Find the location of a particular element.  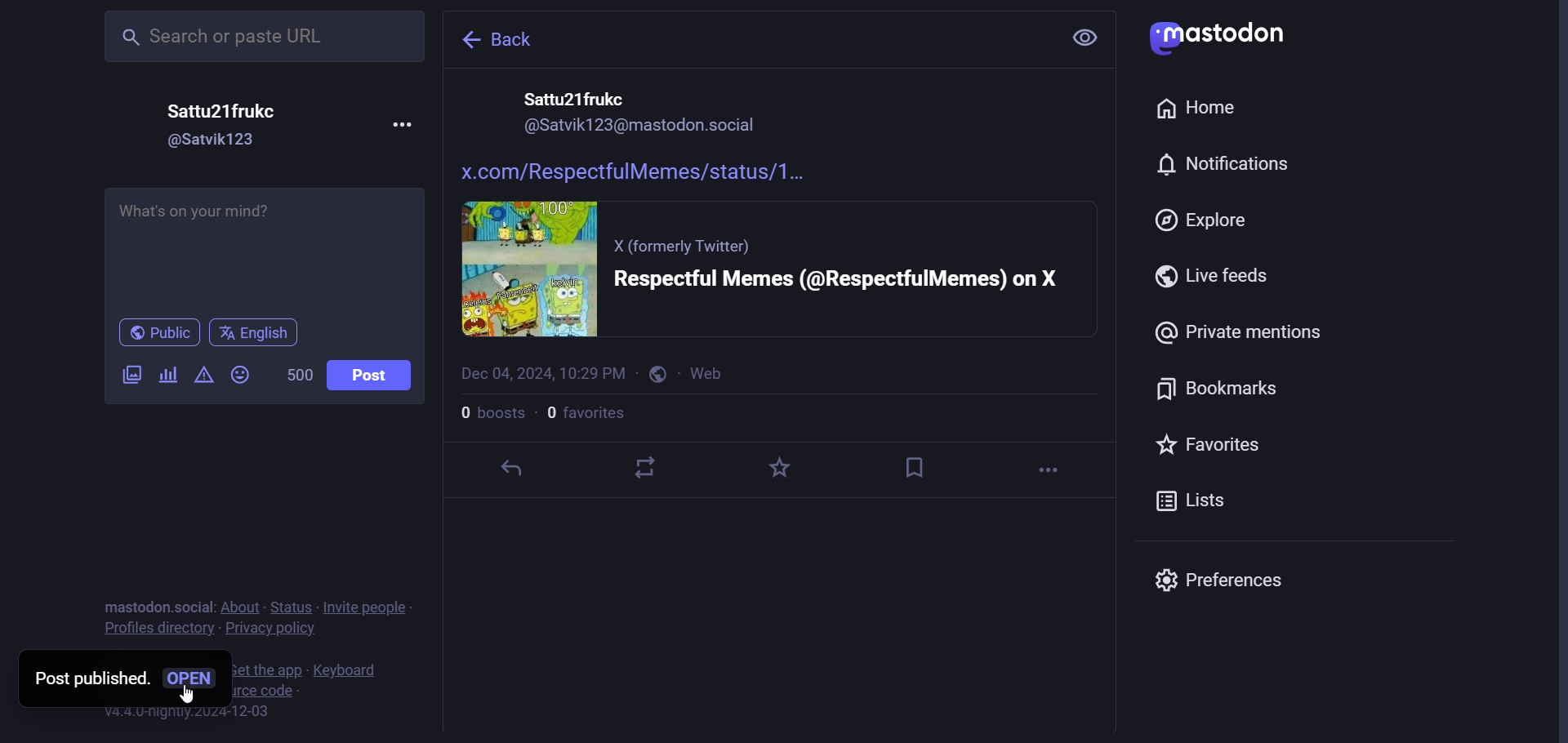

Sattu21frukc is located at coordinates (219, 110).